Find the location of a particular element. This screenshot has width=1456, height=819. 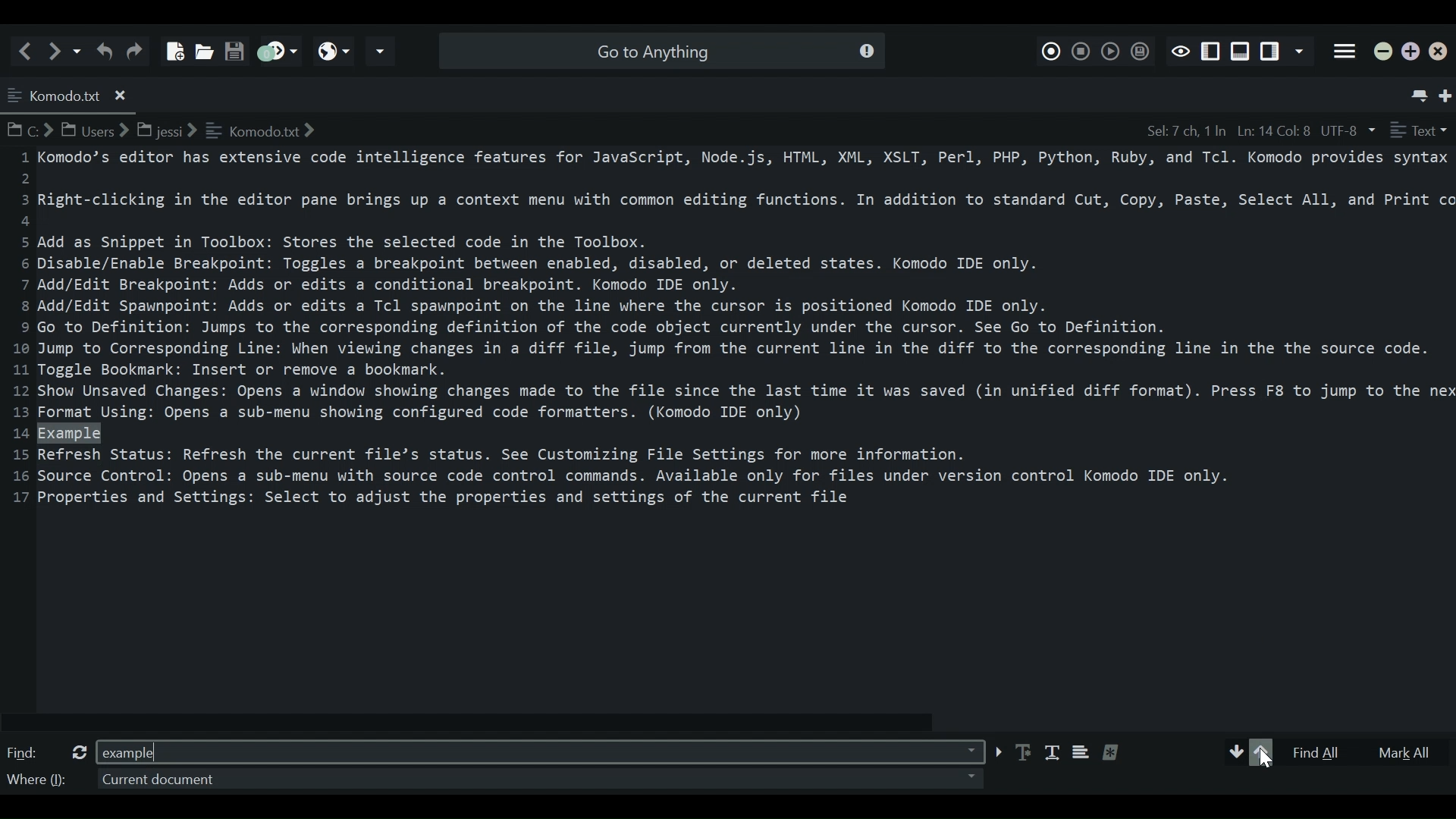

Jump to next syntax checking result is located at coordinates (276, 51).